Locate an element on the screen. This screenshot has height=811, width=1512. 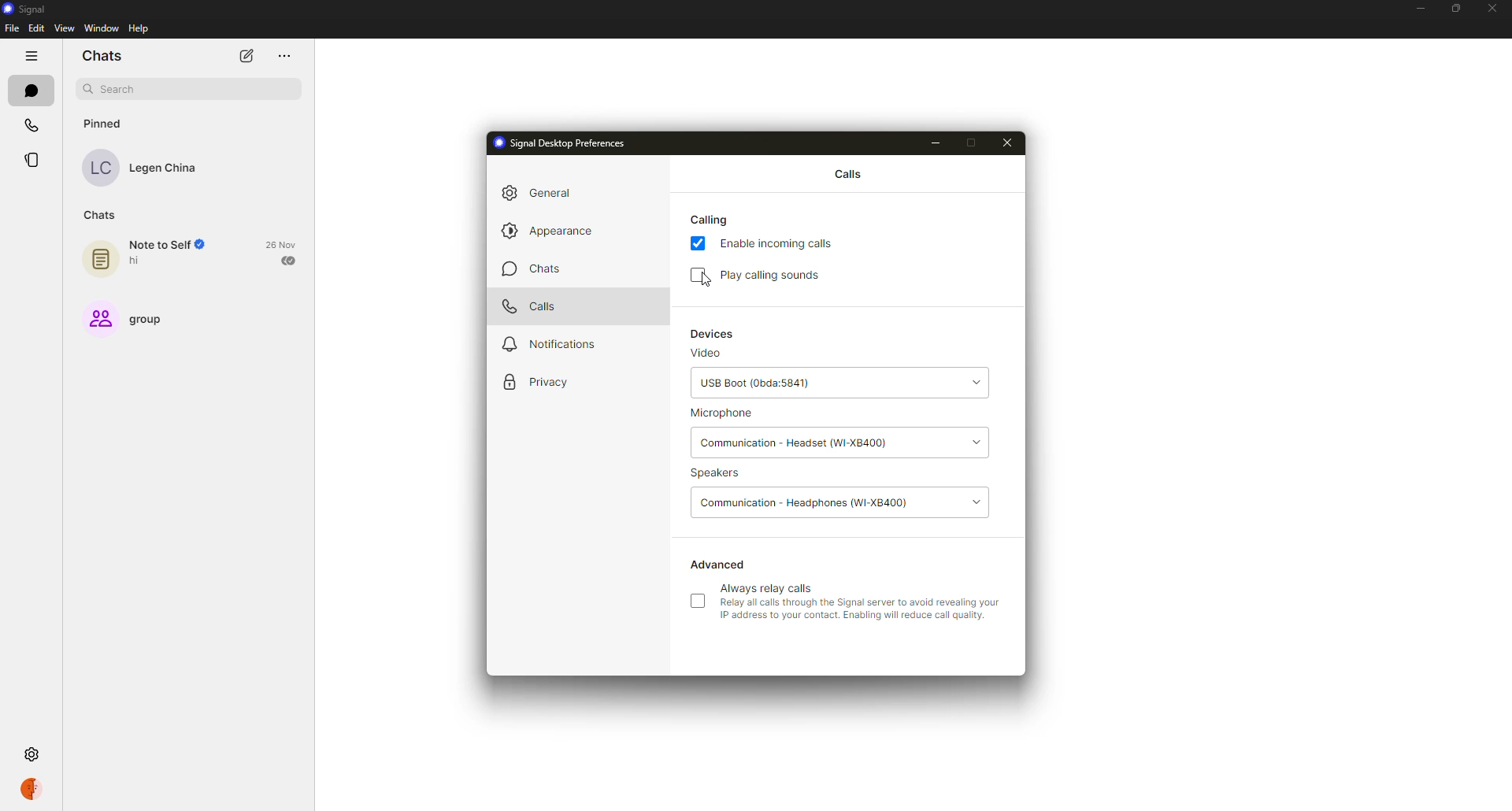
enable incoming calls is located at coordinates (780, 244).